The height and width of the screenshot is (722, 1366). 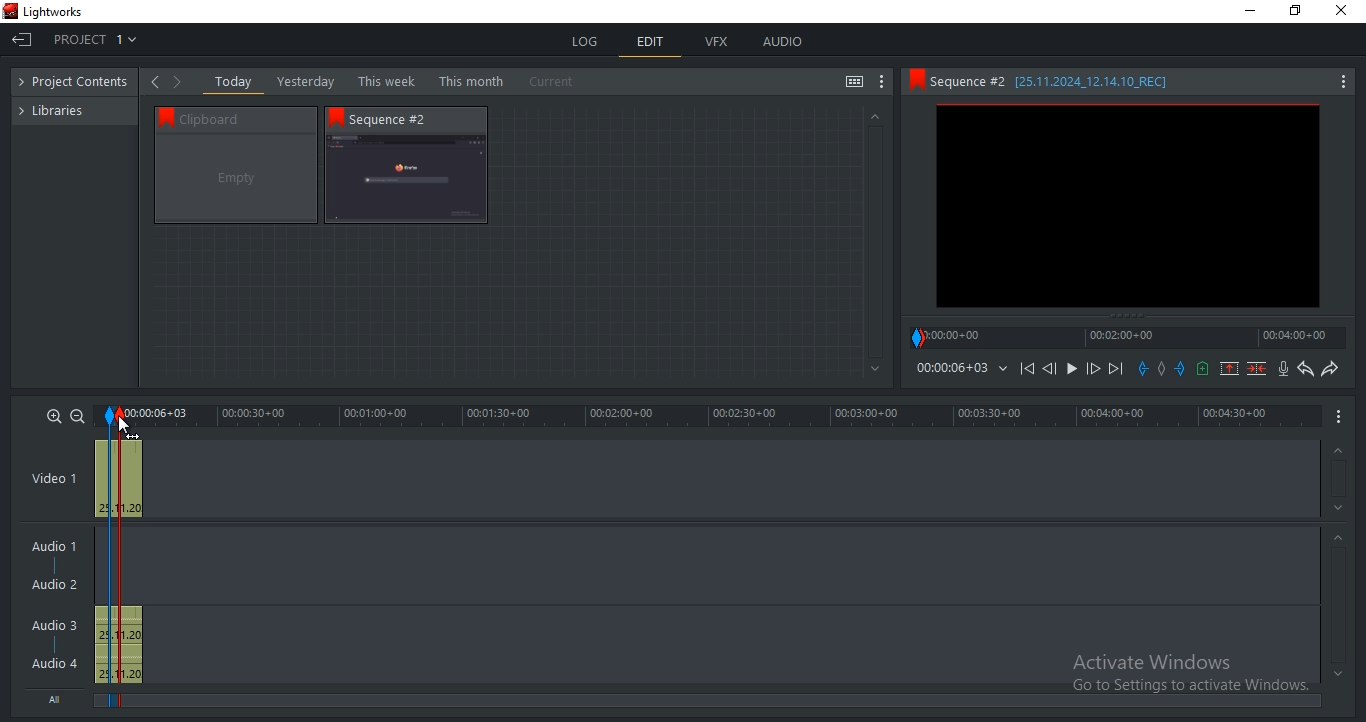 I want to click on mark out, so click(x=1182, y=368).